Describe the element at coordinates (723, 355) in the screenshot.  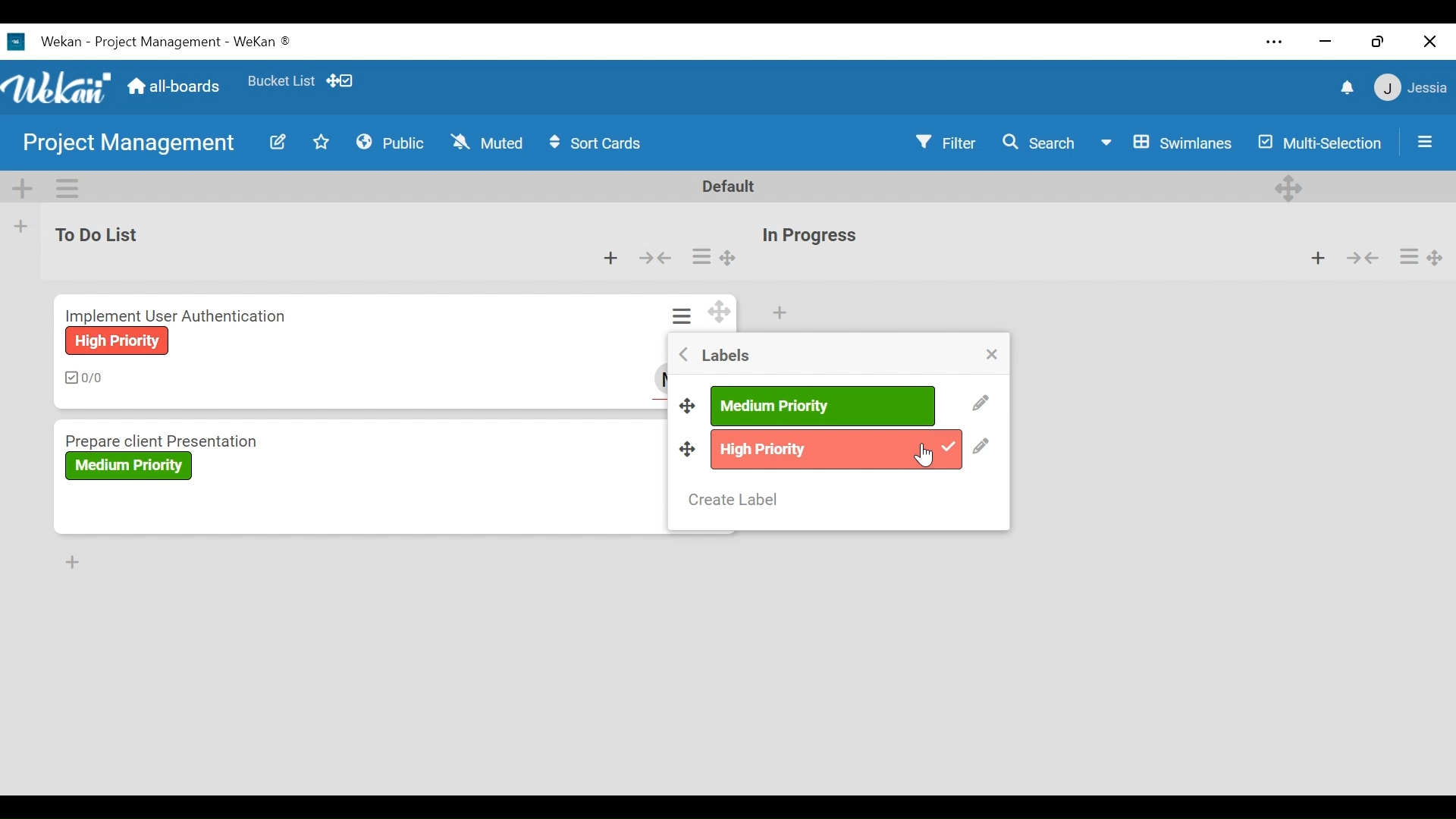
I see `labels` at that location.